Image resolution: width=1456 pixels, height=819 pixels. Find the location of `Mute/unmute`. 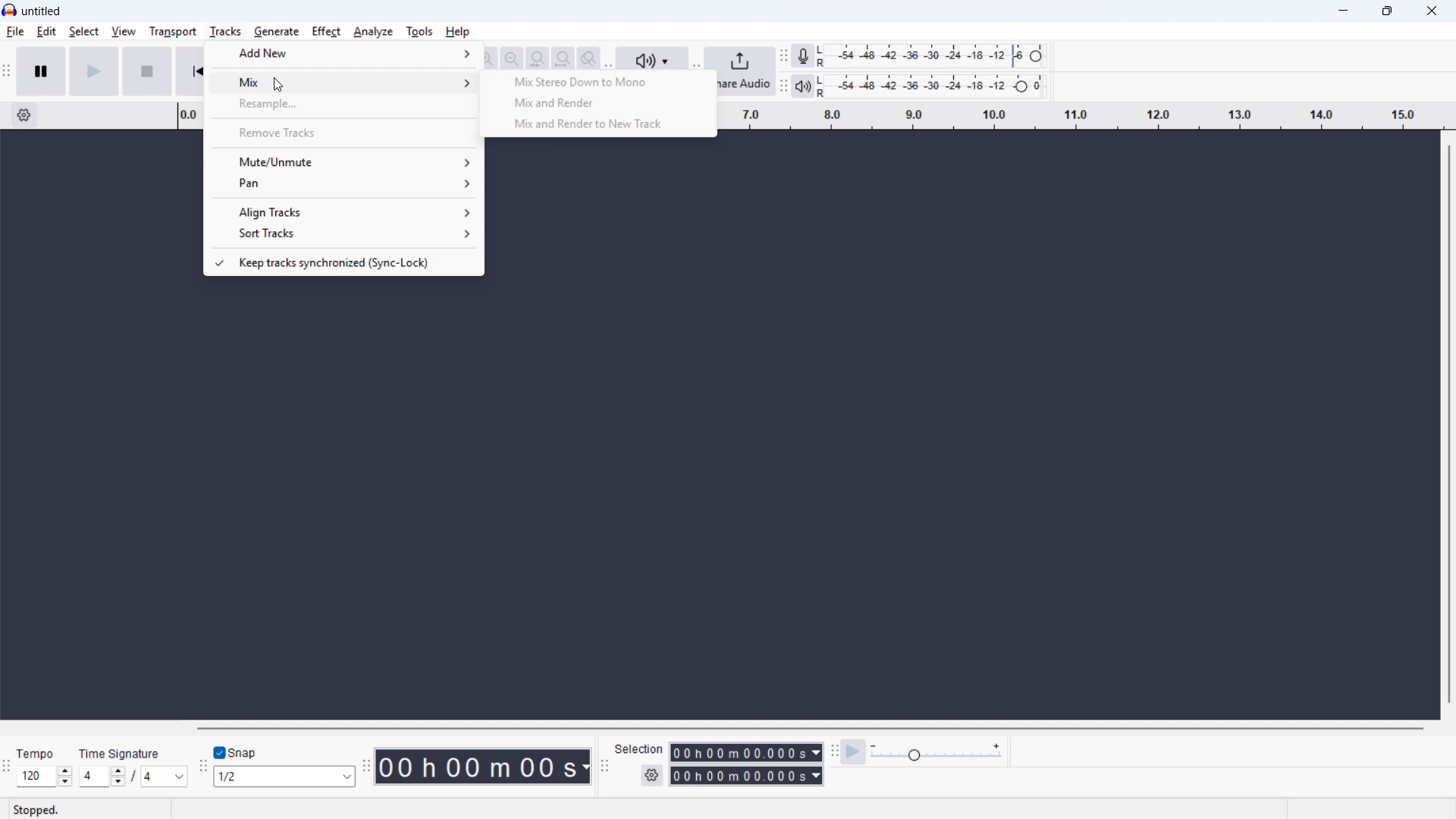

Mute/unmute is located at coordinates (343, 162).